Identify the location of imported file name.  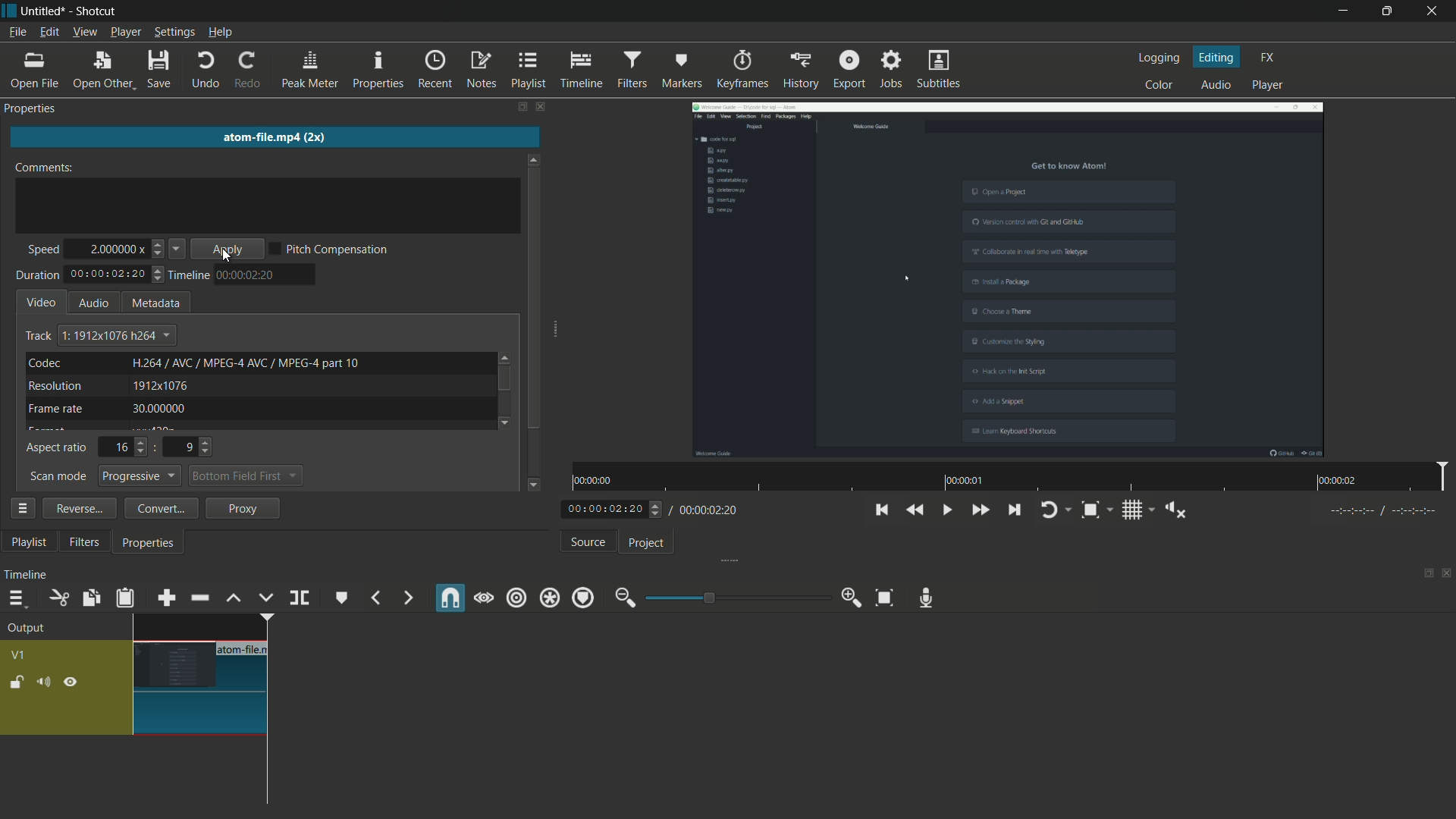
(272, 135).